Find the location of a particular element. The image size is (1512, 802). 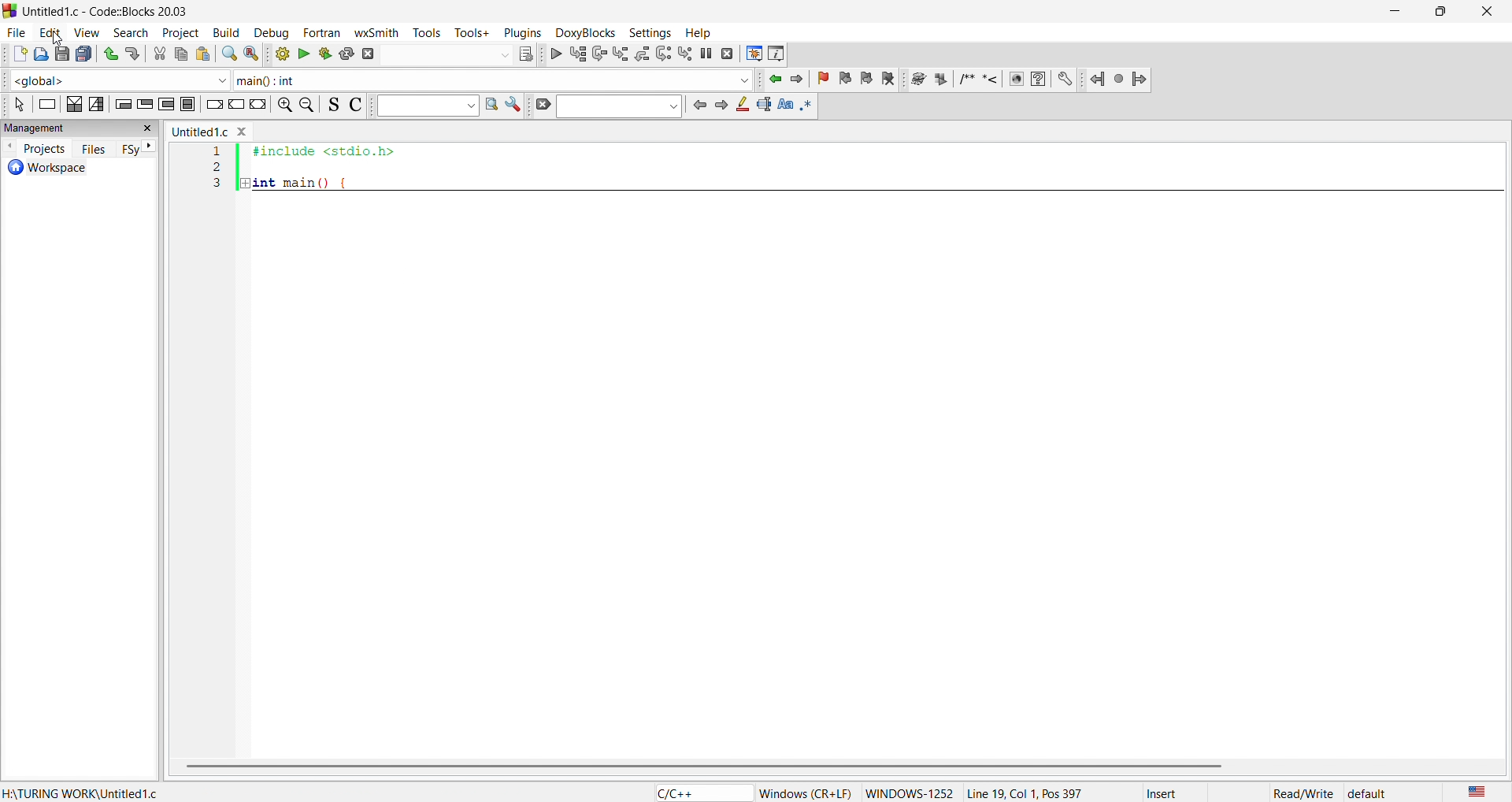

debugging window is located at coordinates (753, 54).